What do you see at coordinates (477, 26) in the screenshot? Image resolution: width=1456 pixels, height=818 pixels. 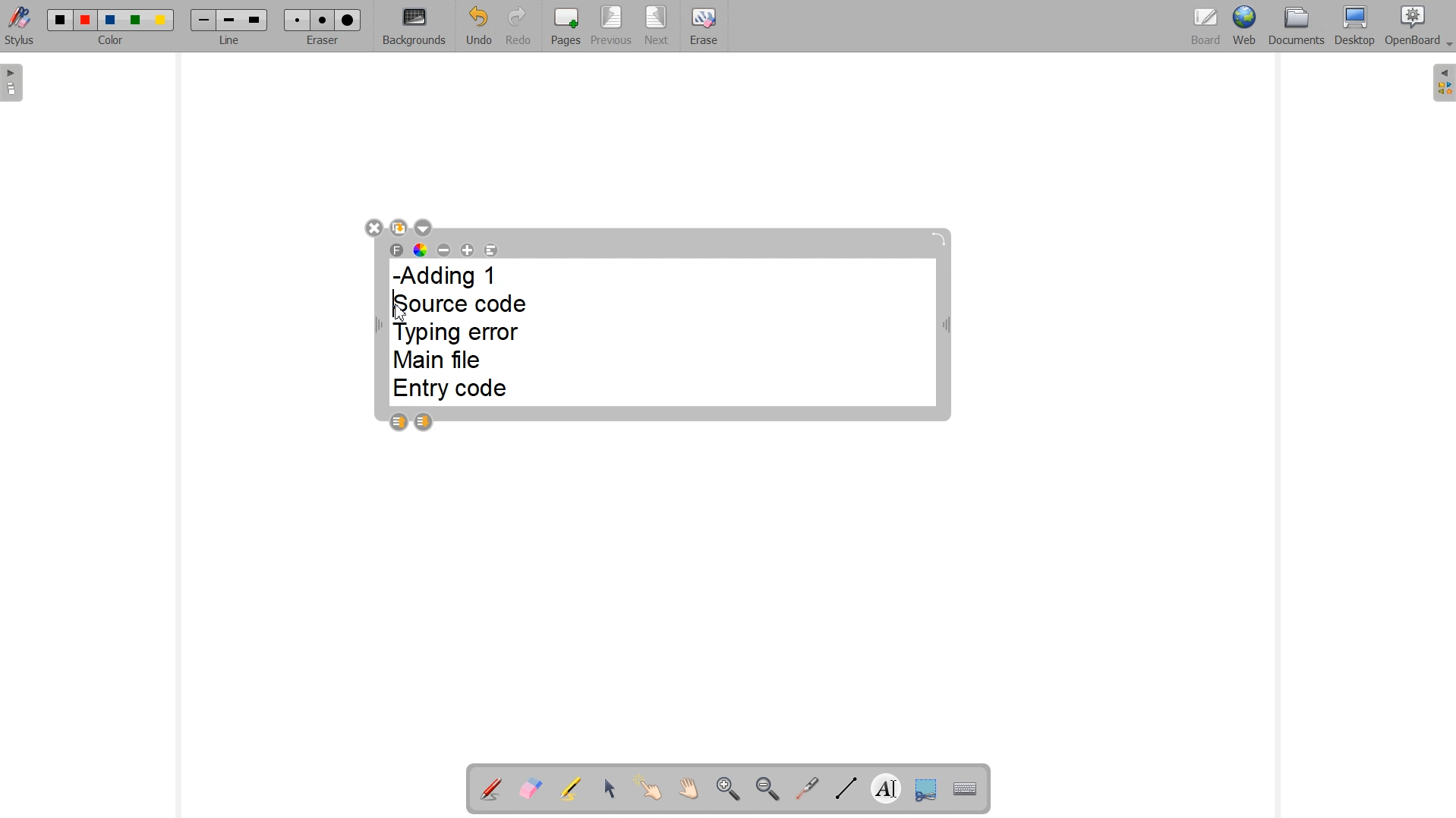 I see `Undo` at bounding box center [477, 26].